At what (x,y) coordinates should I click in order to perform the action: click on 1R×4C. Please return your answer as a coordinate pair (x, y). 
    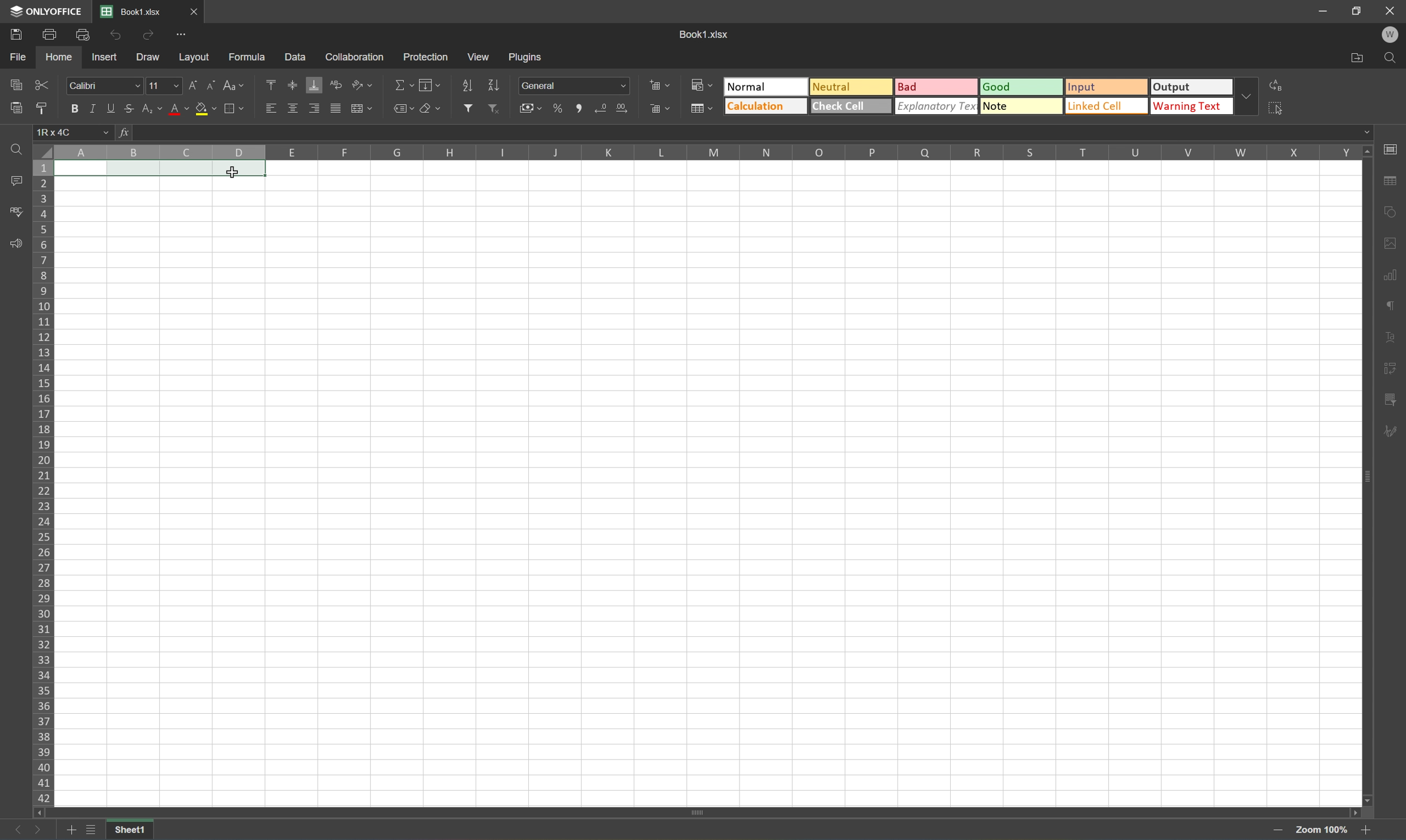
    Looking at the image, I should click on (75, 134).